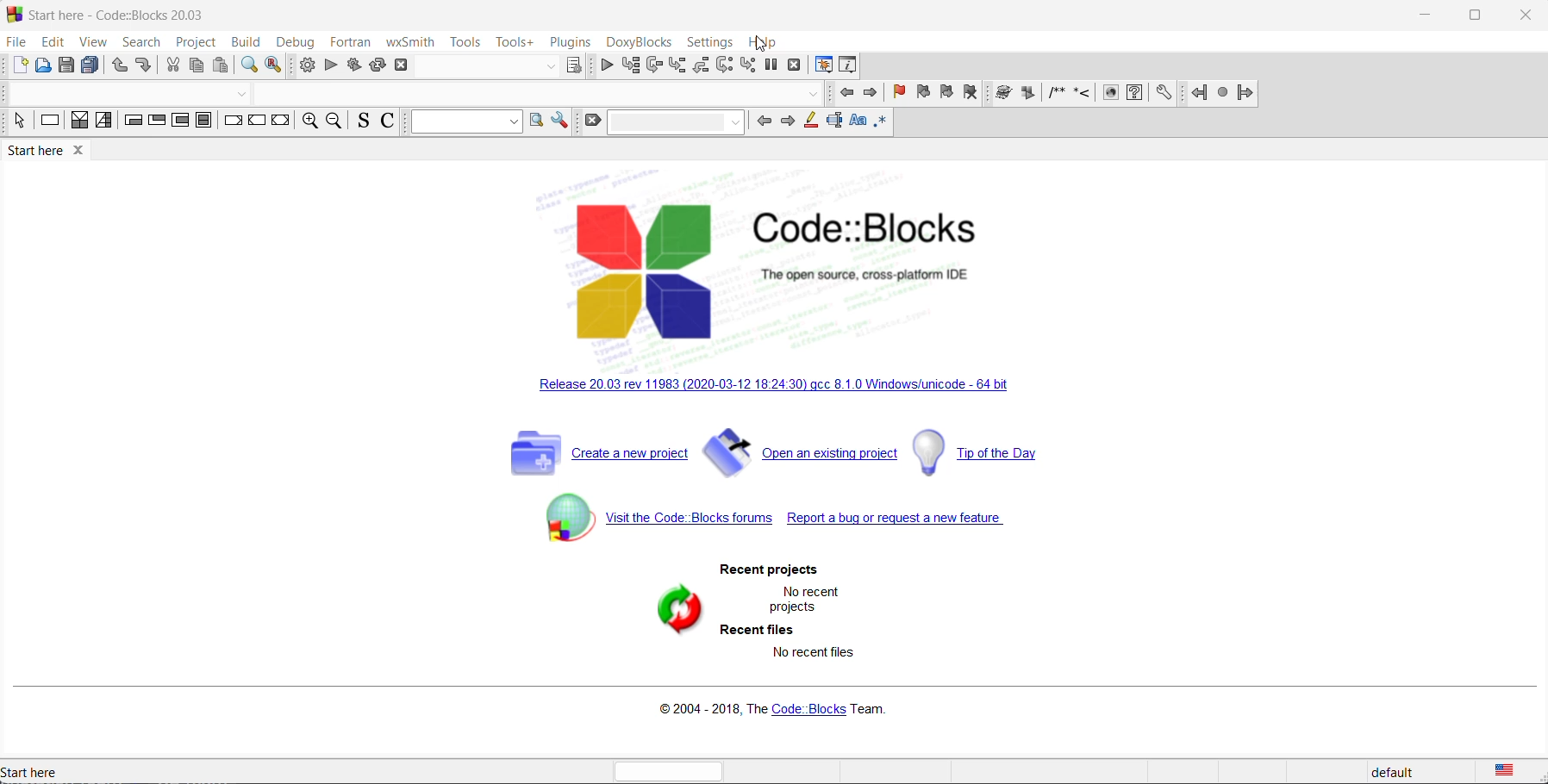 The image size is (1548, 784). What do you see at coordinates (239, 95) in the screenshot?
I see `dropdown` at bounding box center [239, 95].